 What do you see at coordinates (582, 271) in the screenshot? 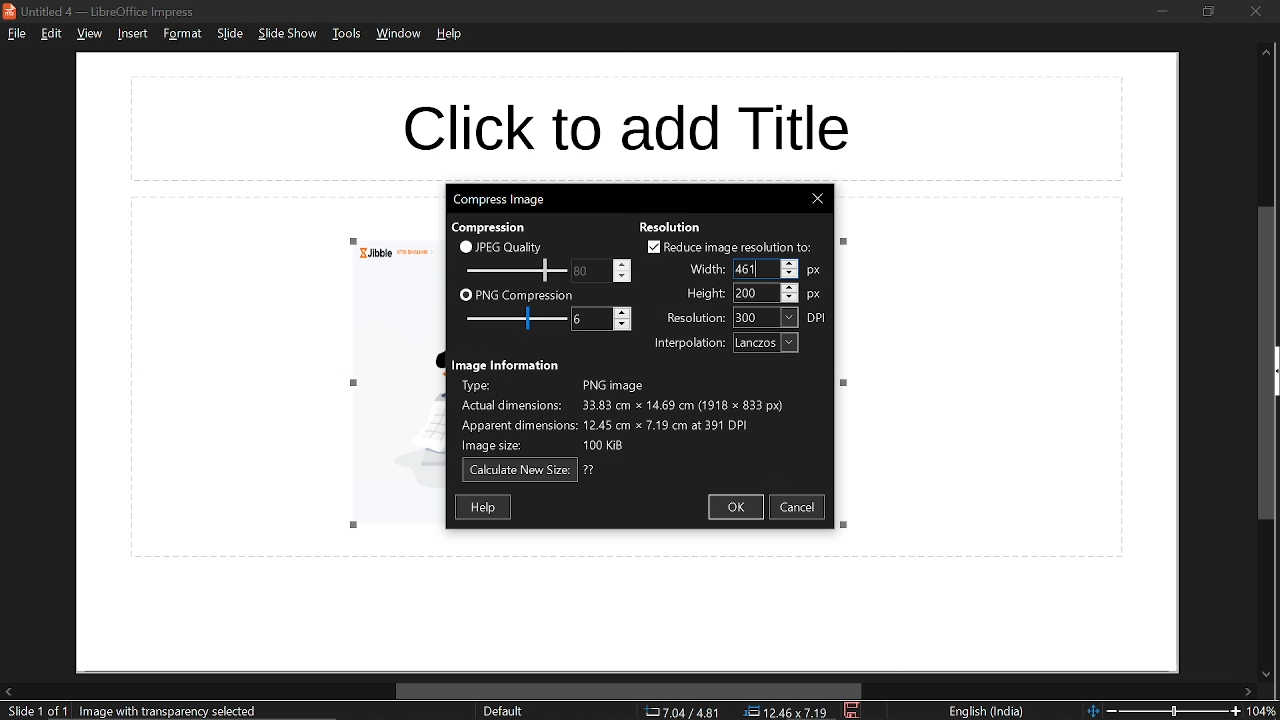
I see `change JPEG quality` at bounding box center [582, 271].